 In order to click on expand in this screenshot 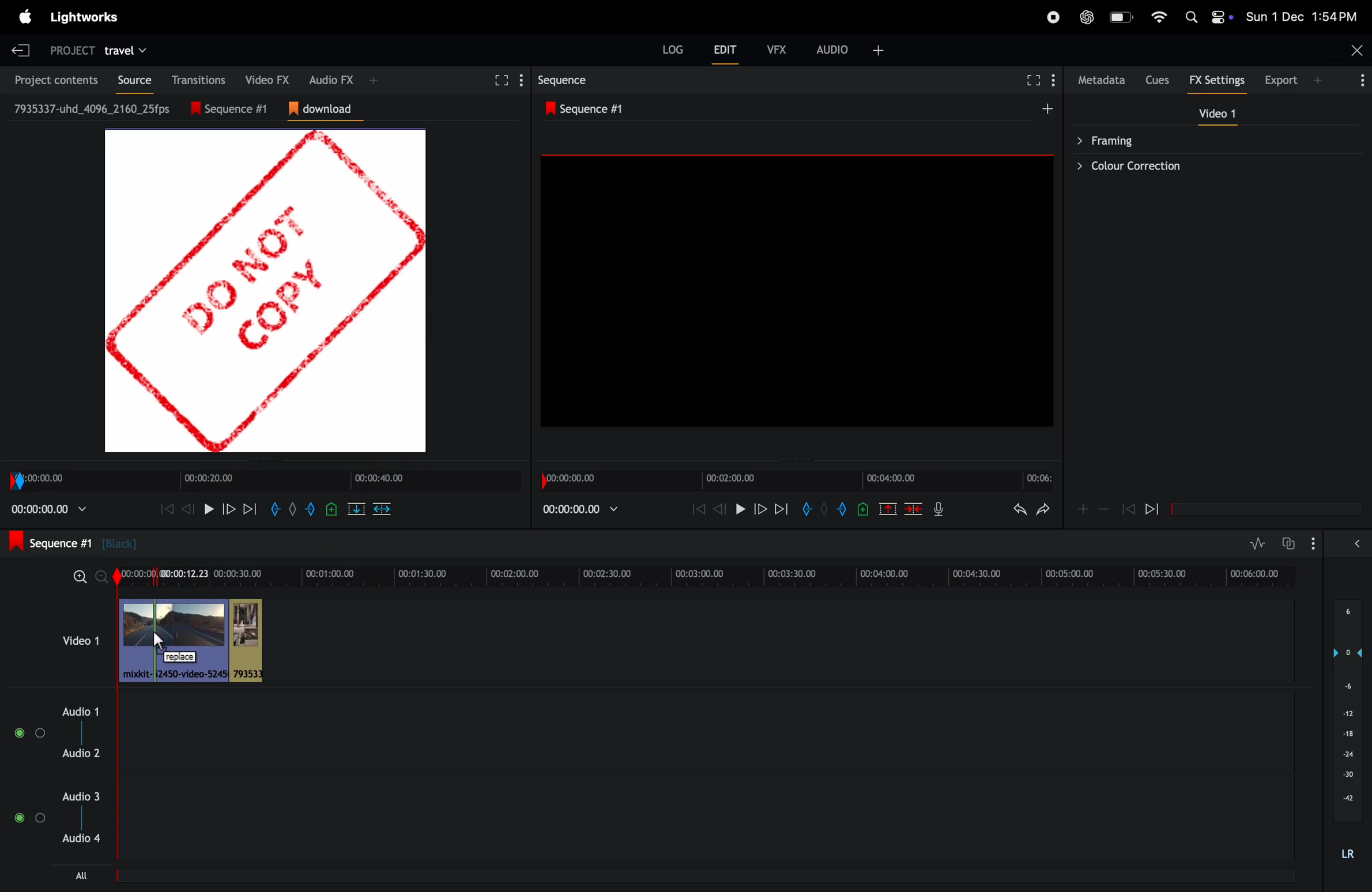, I will do `click(1357, 543)`.